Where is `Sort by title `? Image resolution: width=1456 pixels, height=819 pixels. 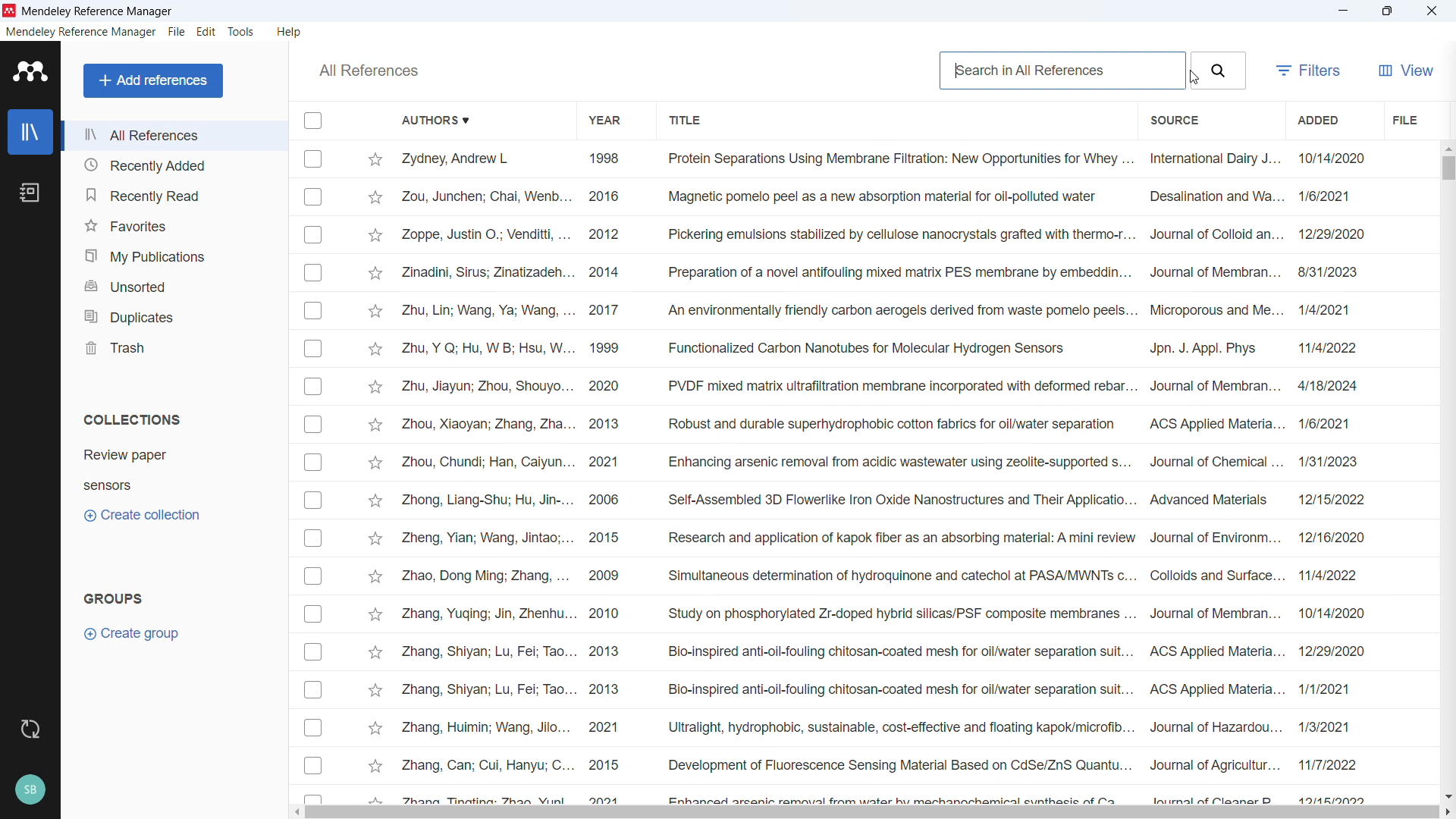 Sort by title  is located at coordinates (689, 121).